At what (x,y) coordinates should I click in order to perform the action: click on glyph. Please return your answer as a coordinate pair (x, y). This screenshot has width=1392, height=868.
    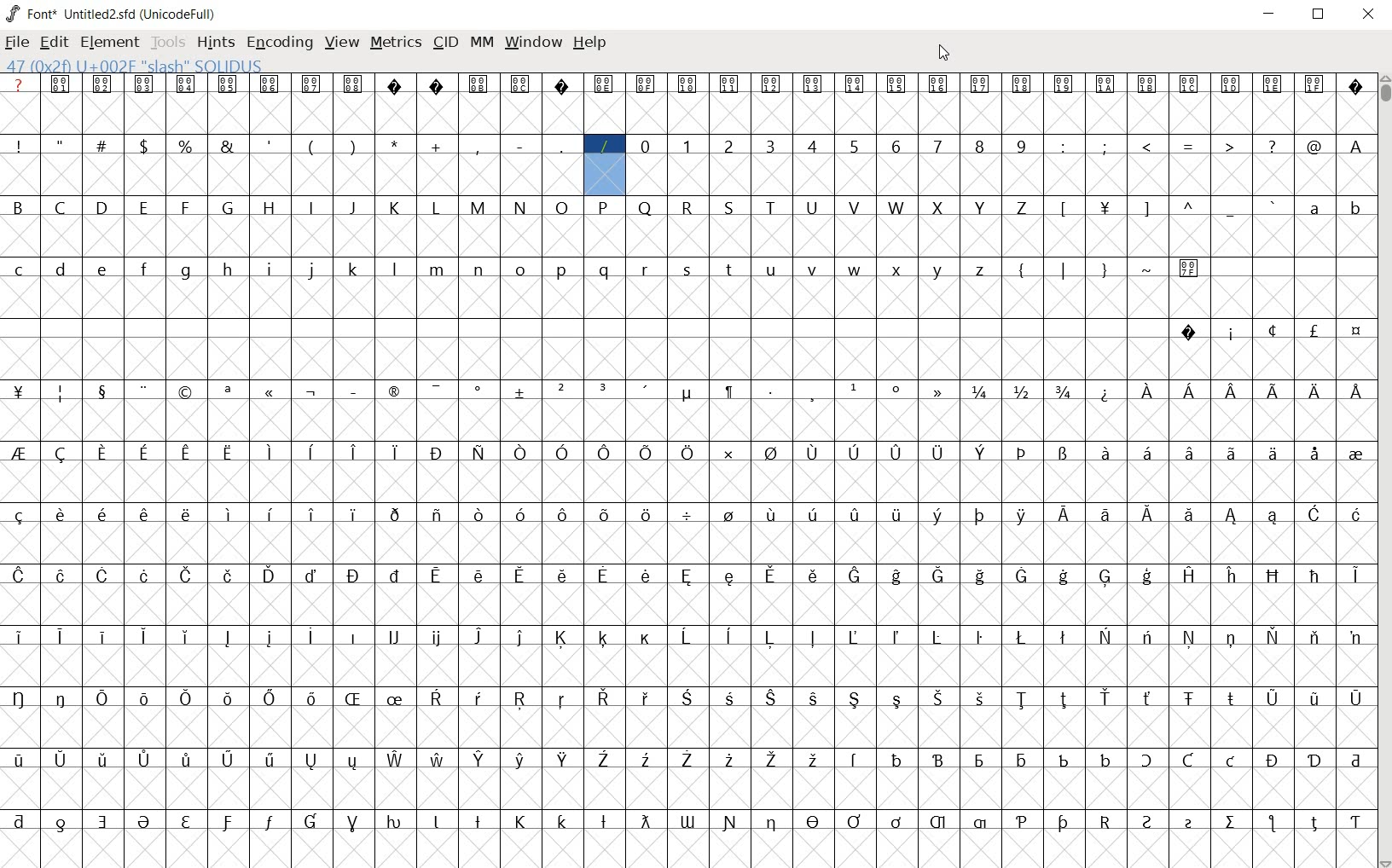
    Looking at the image, I should click on (478, 698).